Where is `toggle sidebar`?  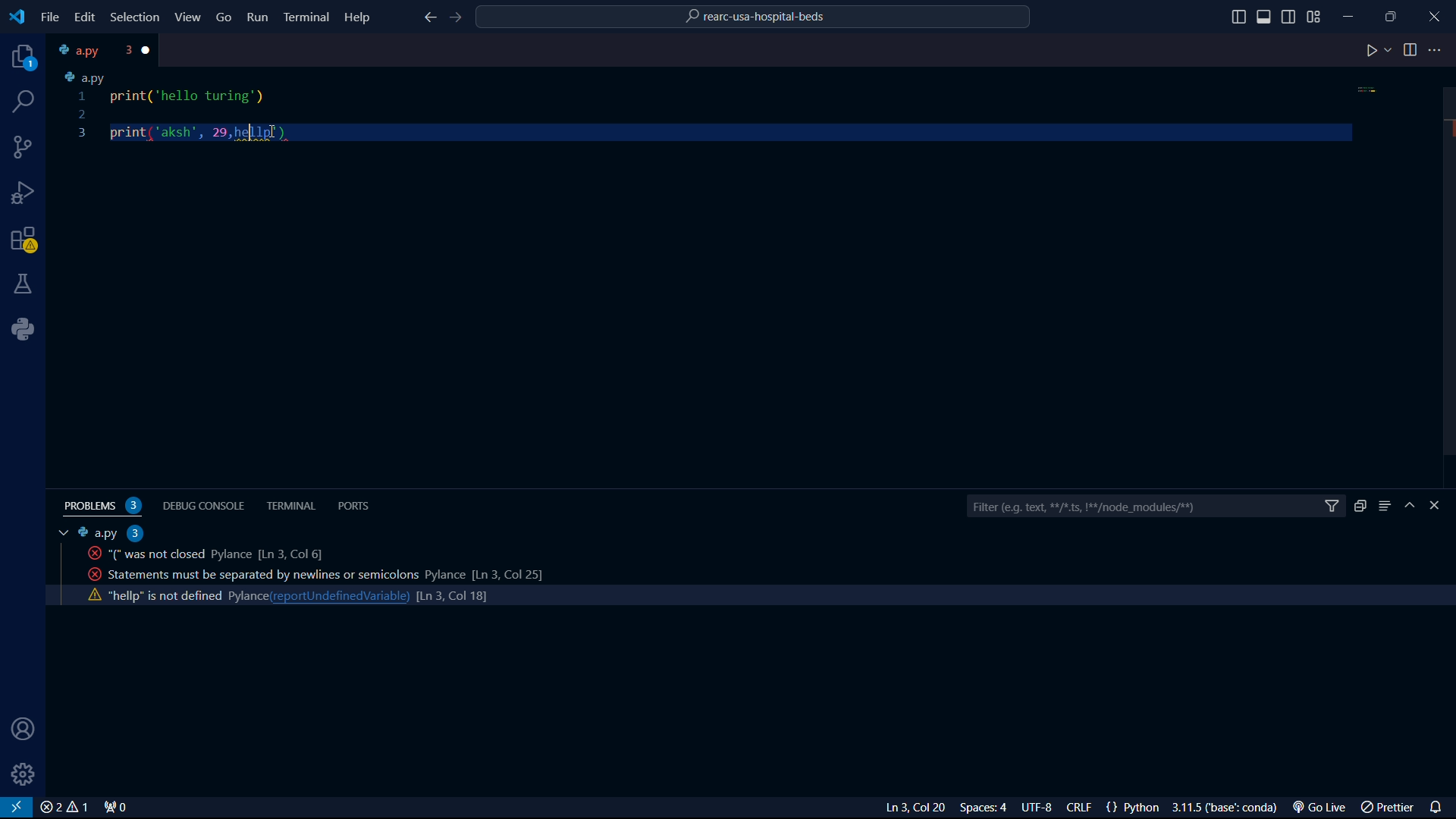
toggle sidebar is located at coordinates (1238, 17).